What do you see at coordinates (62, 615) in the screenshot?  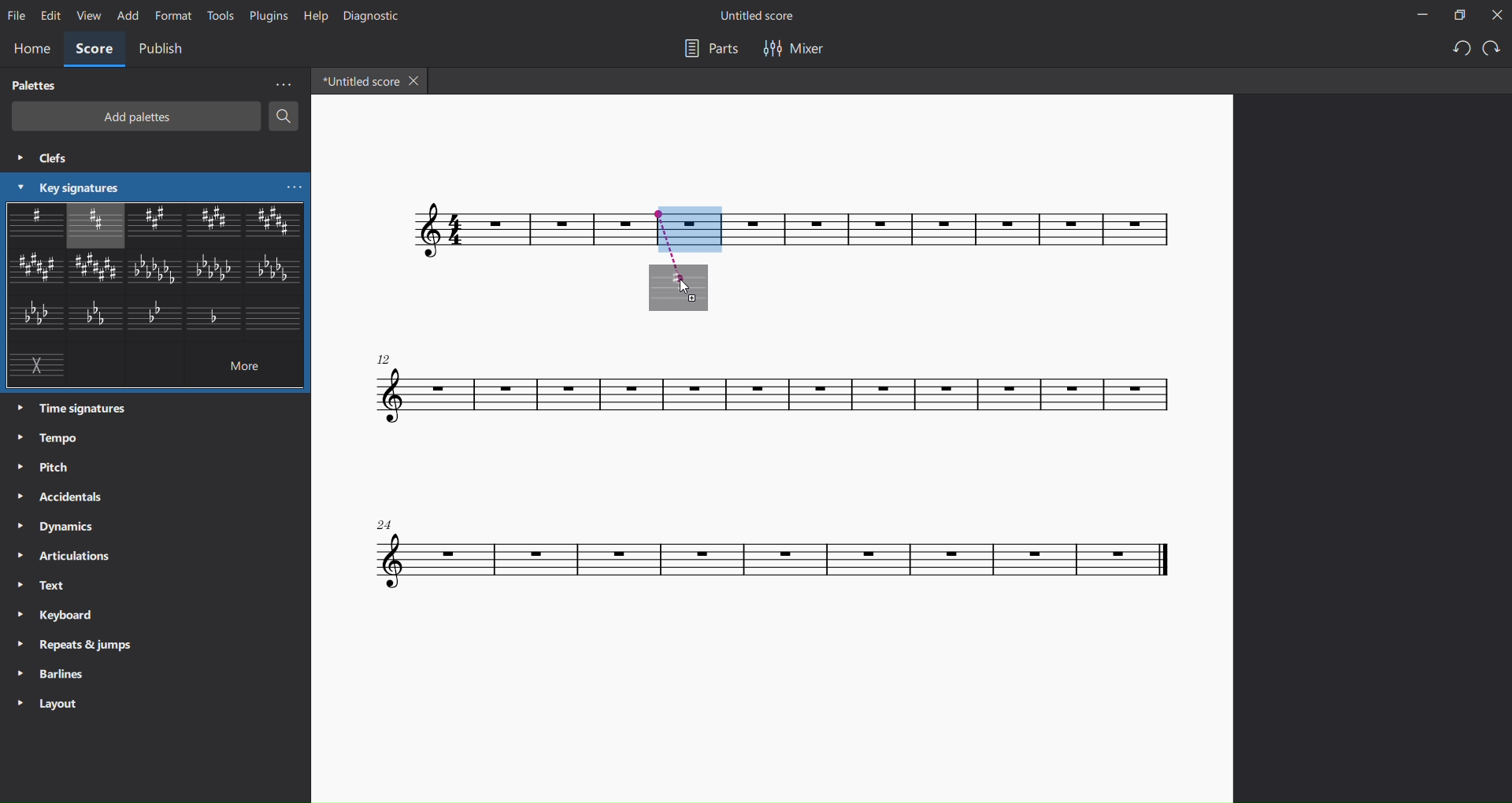 I see `keyboard` at bounding box center [62, 615].